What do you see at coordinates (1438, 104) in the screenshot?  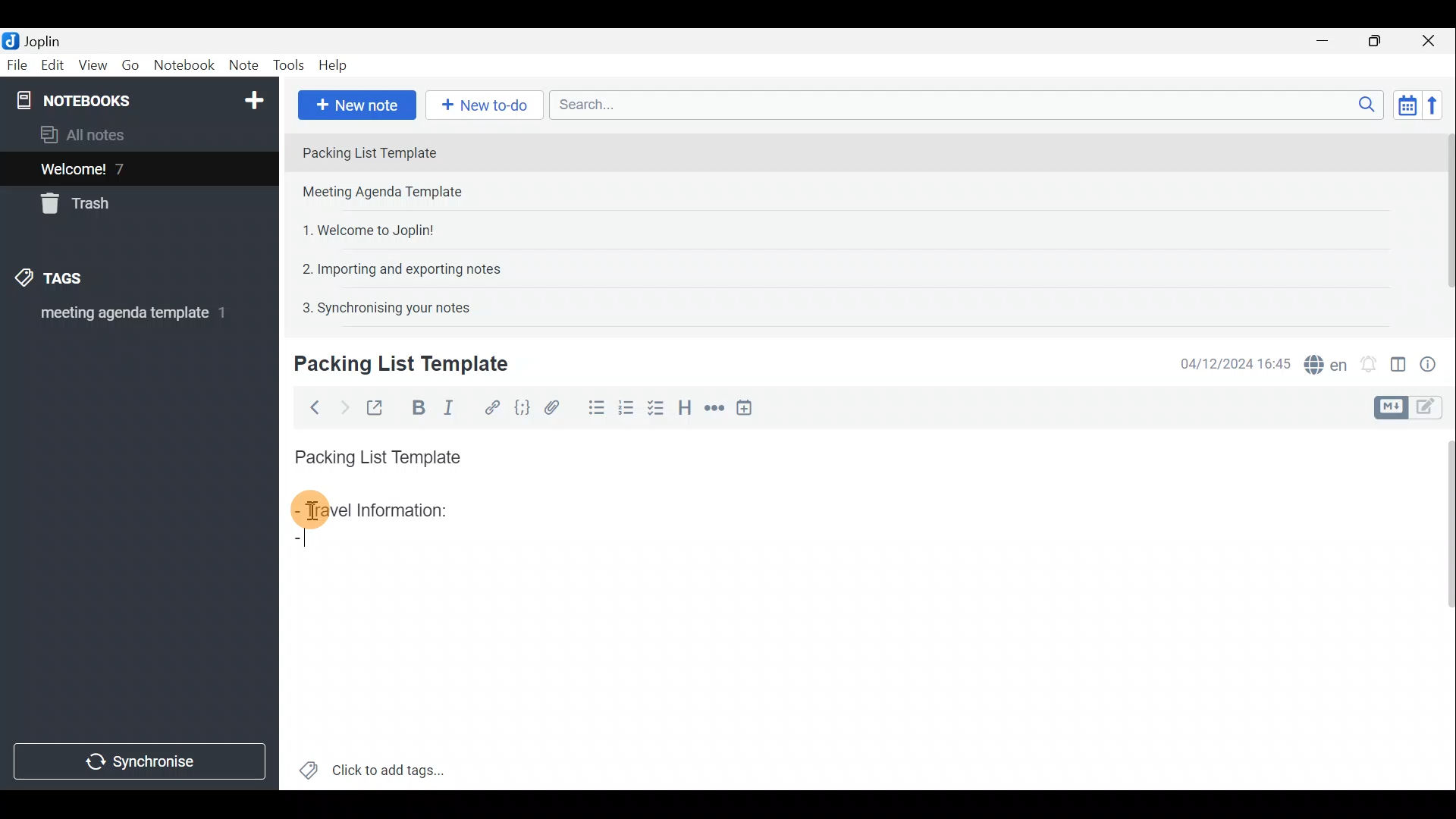 I see `Reverse sort order` at bounding box center [1438, 104].